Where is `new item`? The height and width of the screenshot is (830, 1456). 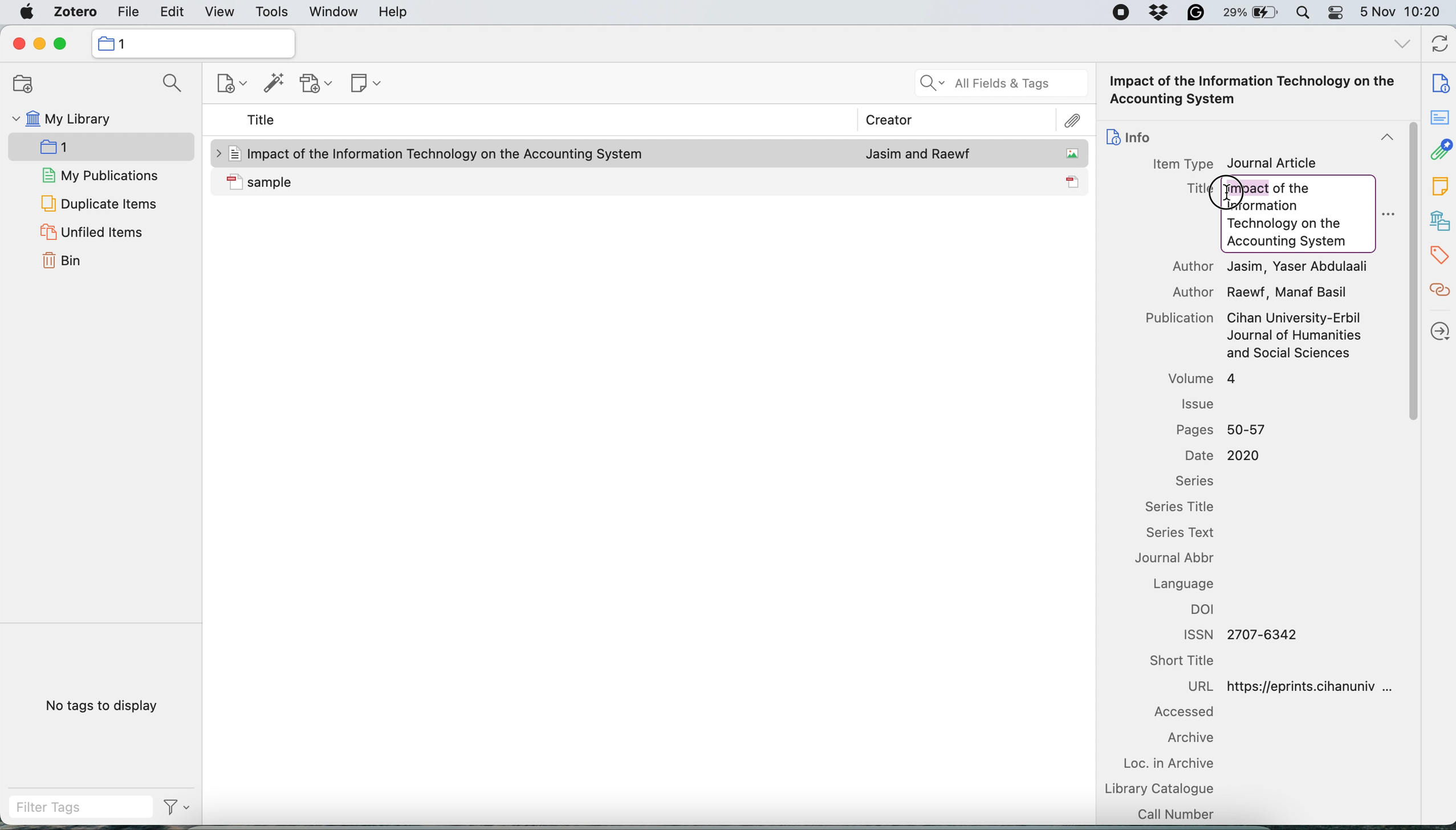
new item is located at coordinates (227, 83).